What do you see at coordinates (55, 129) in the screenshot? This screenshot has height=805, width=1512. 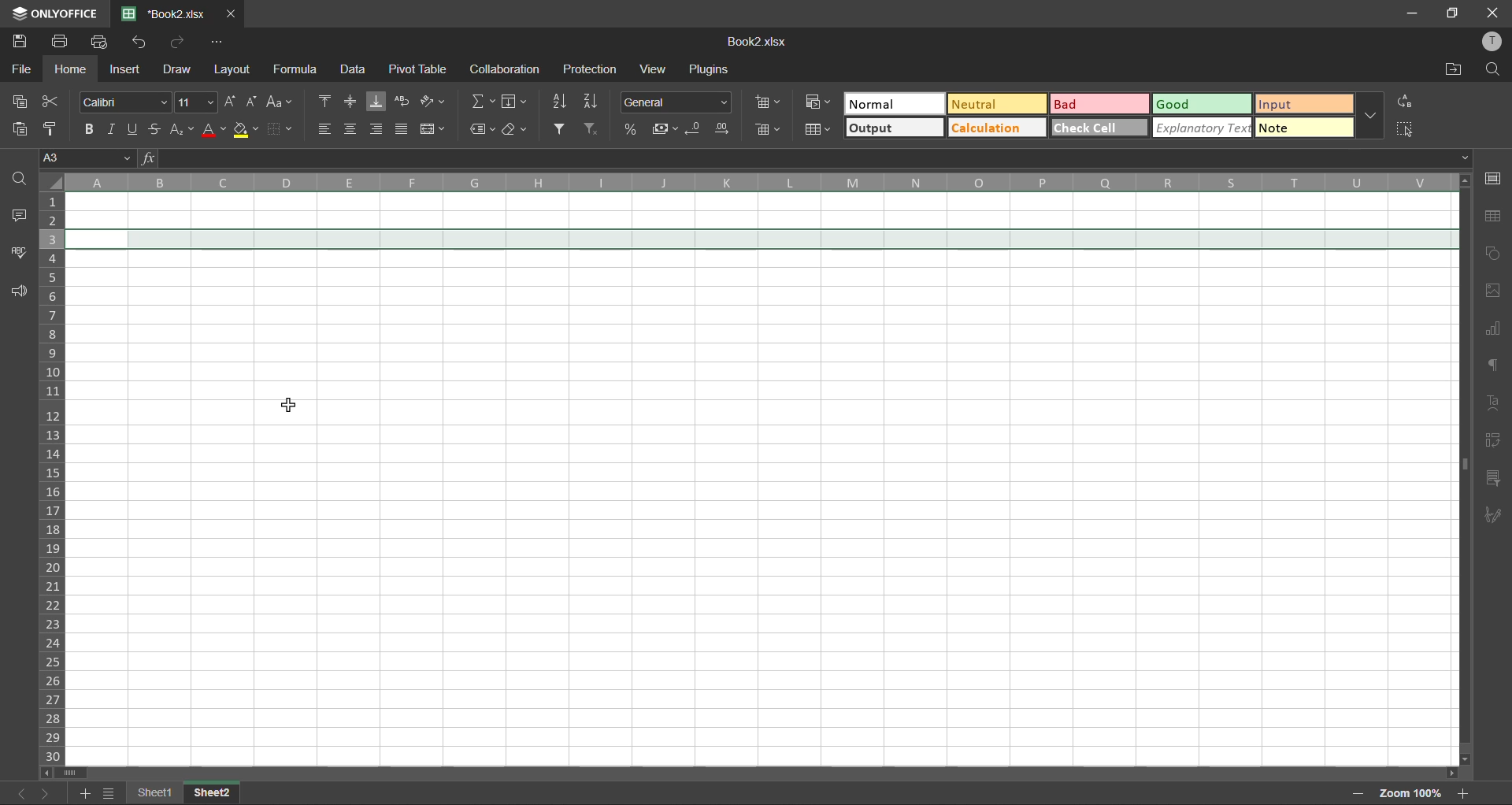 I see `copy style` at bounding box center [55, 129].